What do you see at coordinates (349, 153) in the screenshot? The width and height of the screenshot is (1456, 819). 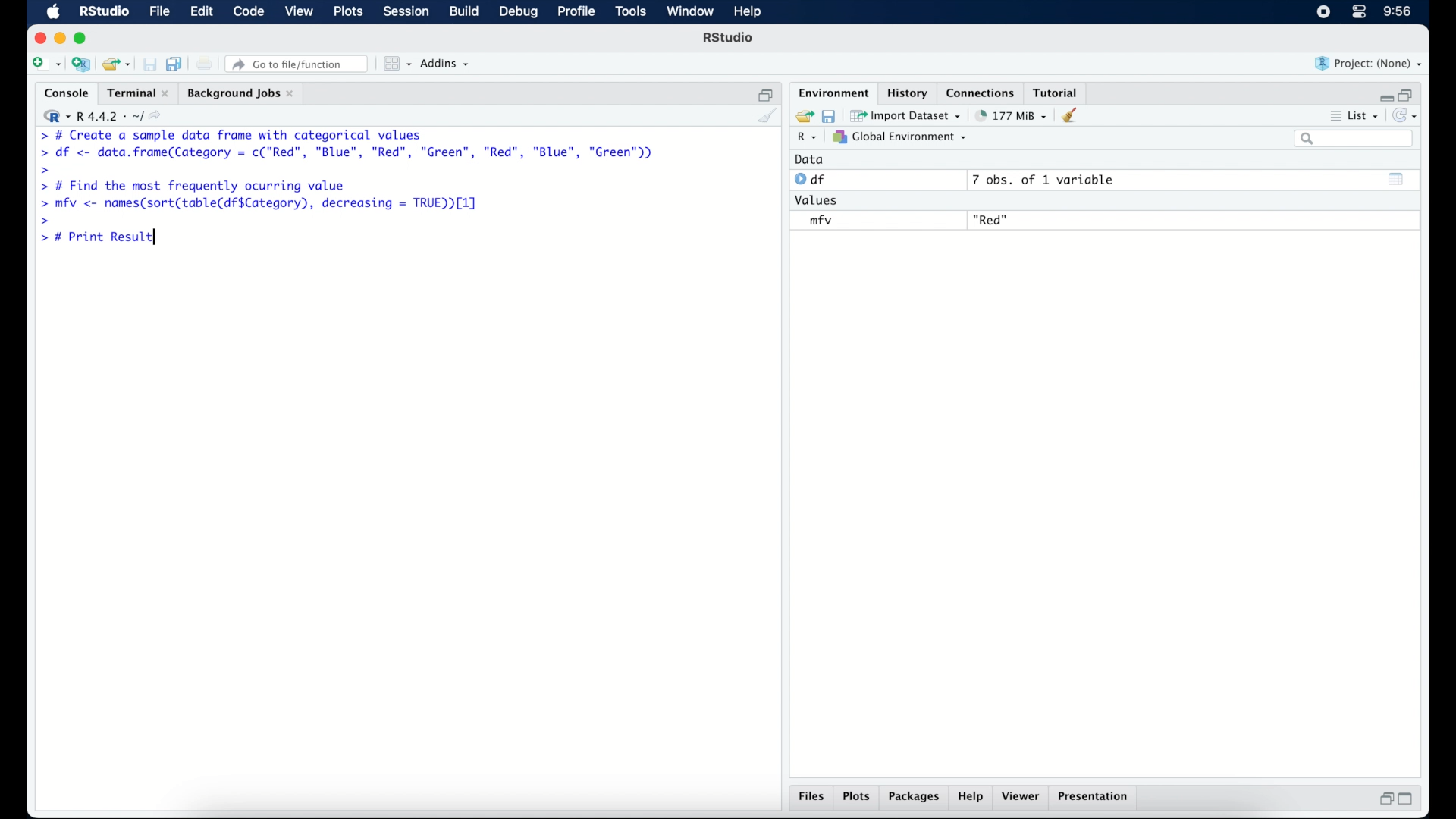 I see `> df <- data.frame(Category = c("Red”, "Blue", "Red", "Green", "Red", "Blue", "Green"))|` at bounding box center [349, 153].